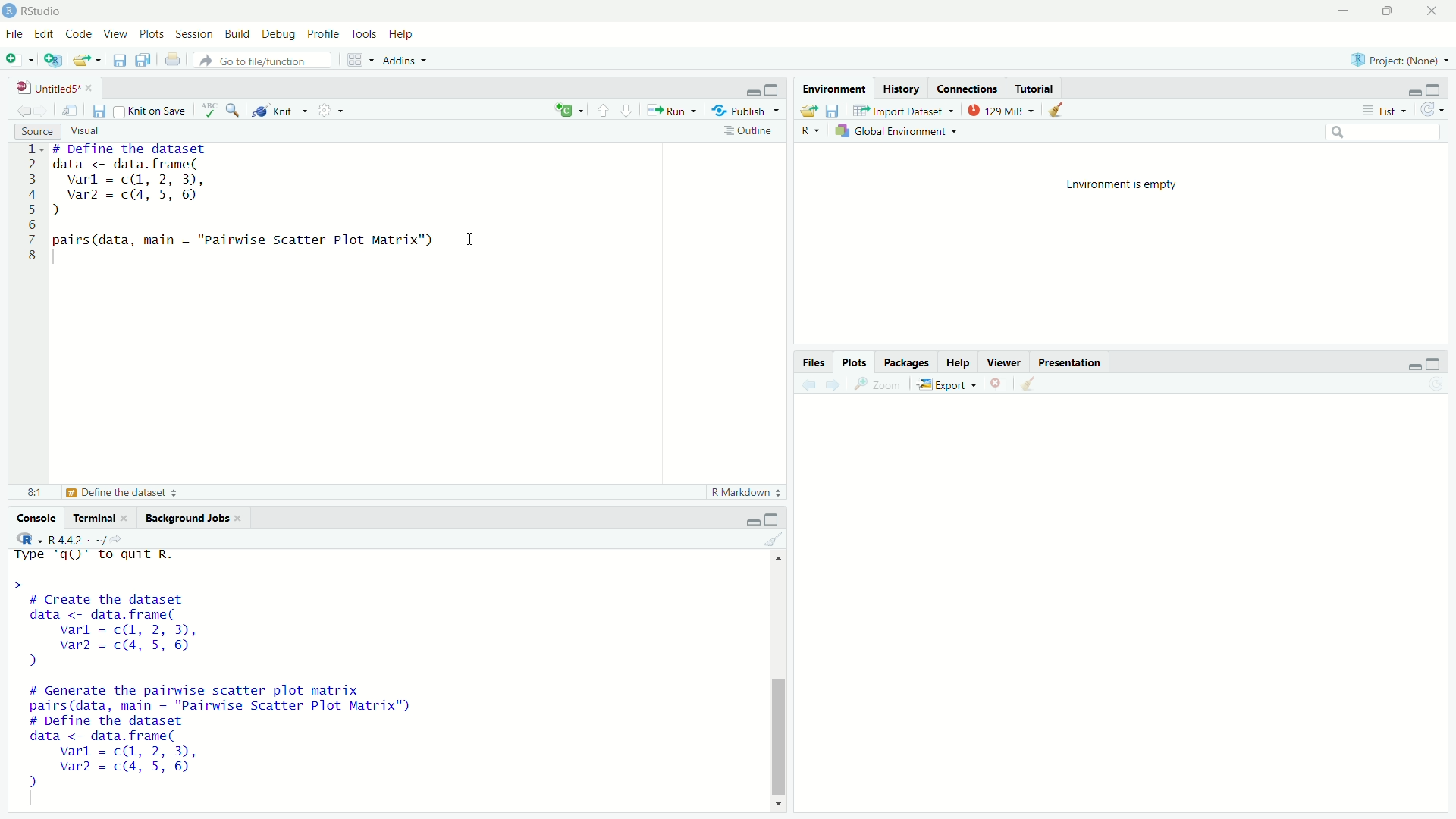 This screenshot has height=819, width=1456. Describe the element at coordinates (190, 518) in the screenshot. I see `Background Jobs` at that location.